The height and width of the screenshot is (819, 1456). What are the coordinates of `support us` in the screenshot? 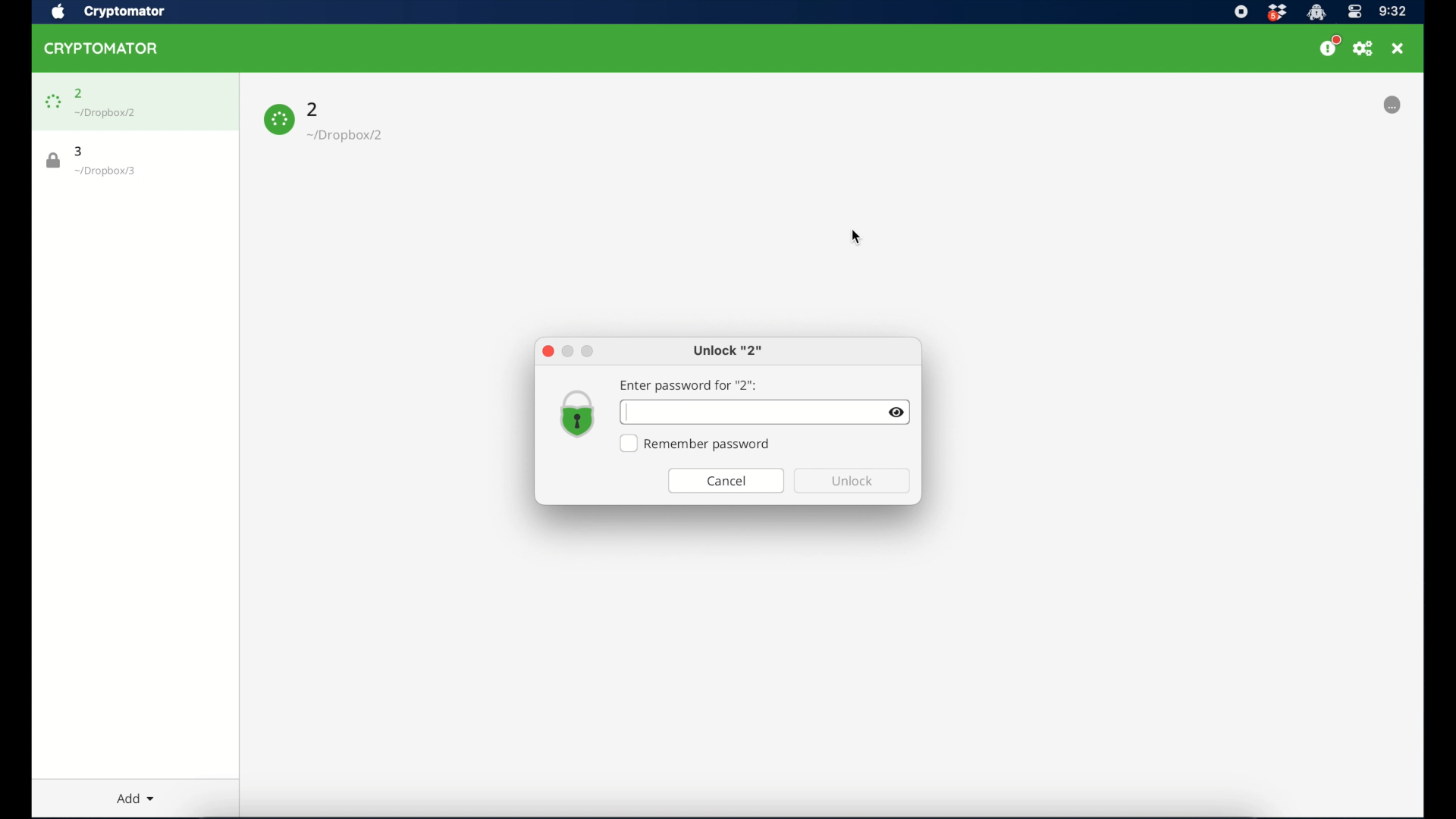 It's located at (1330, 47).